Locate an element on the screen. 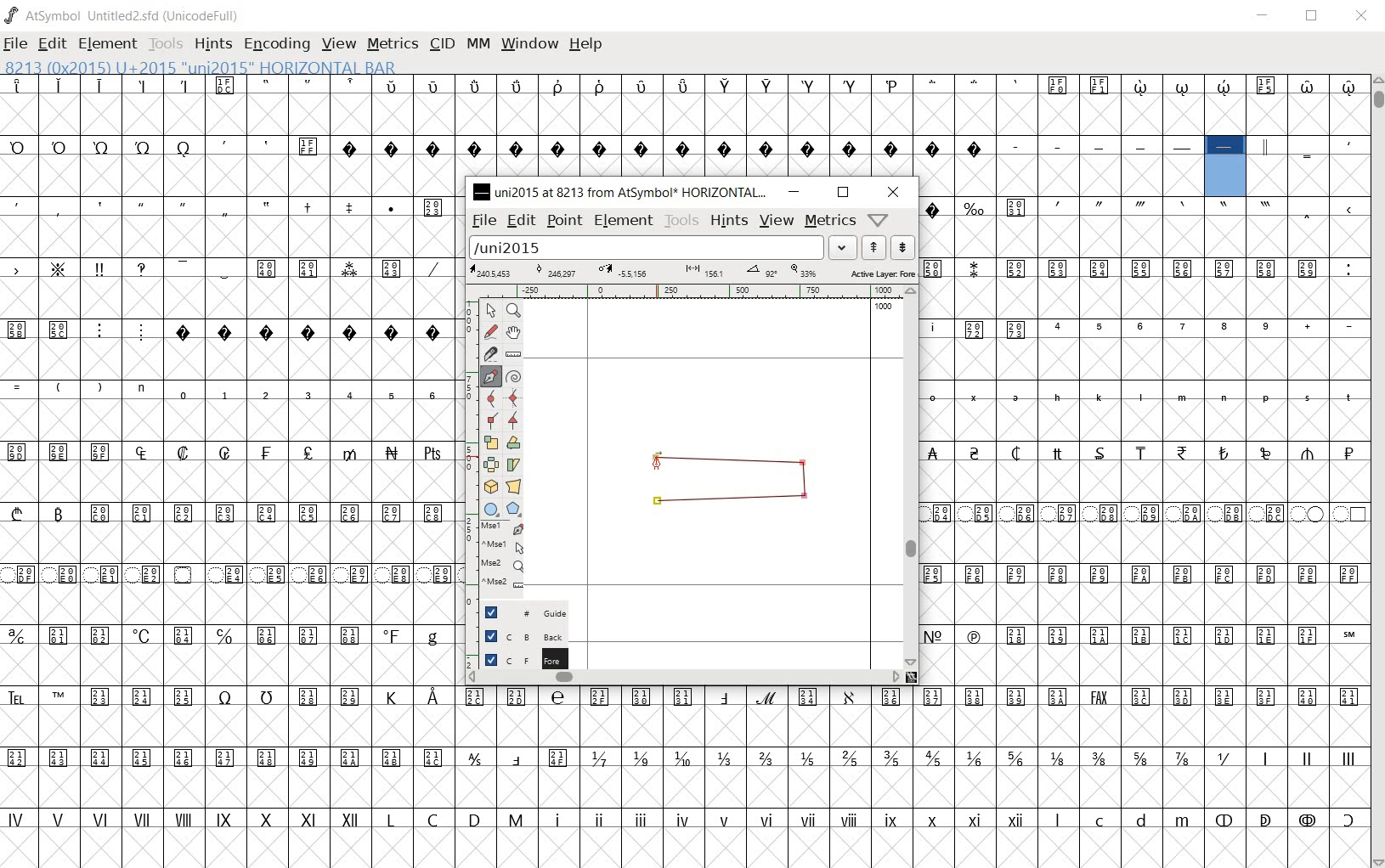 Image resolution: width=1385 pixels, height=868 pixels. file is located at coordinates (483, 222).